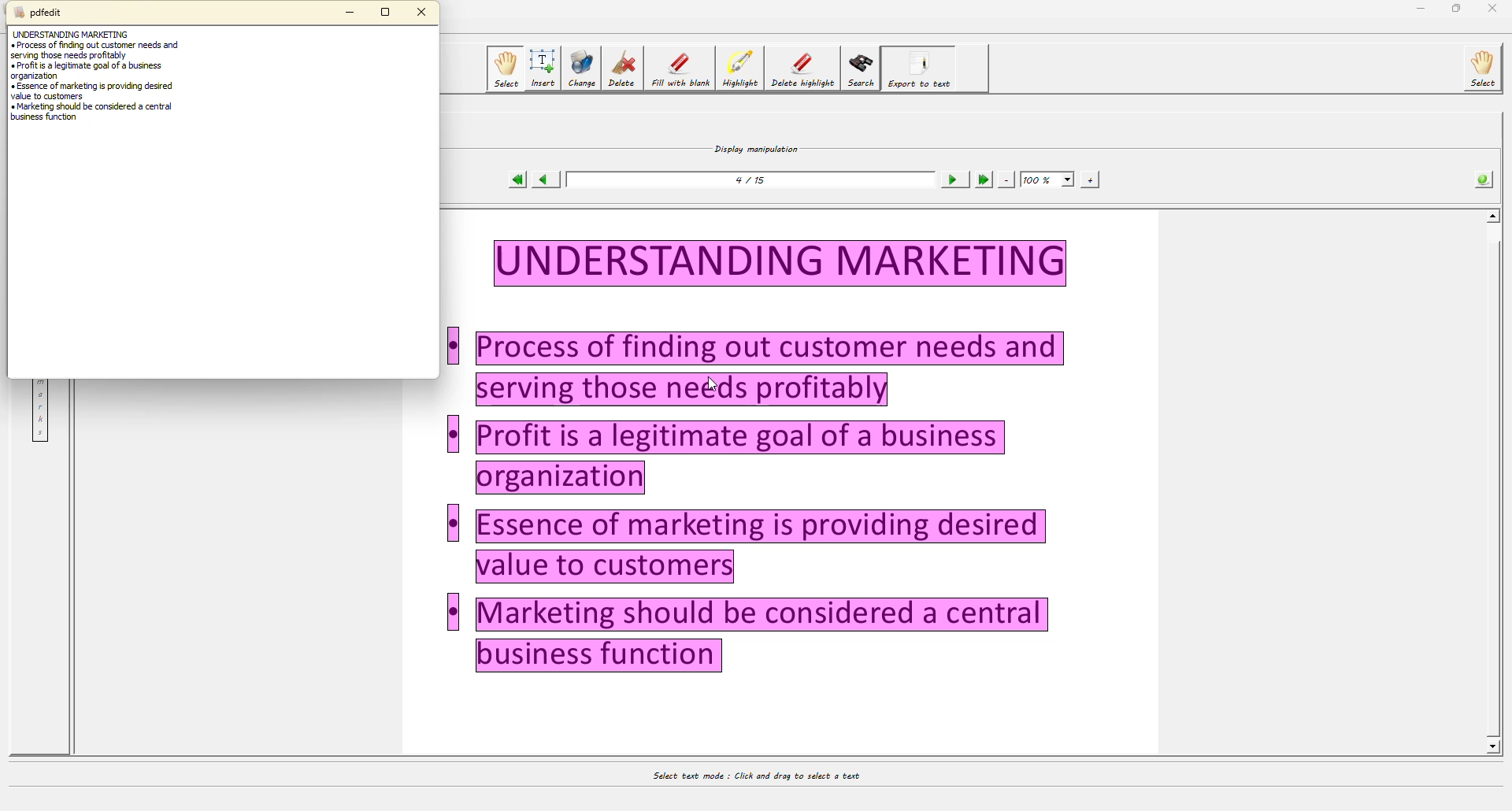  What do you see at coordinates (1091, 179) in the screenshot?
I see `zoom in` at bounding box center [1091, 179].